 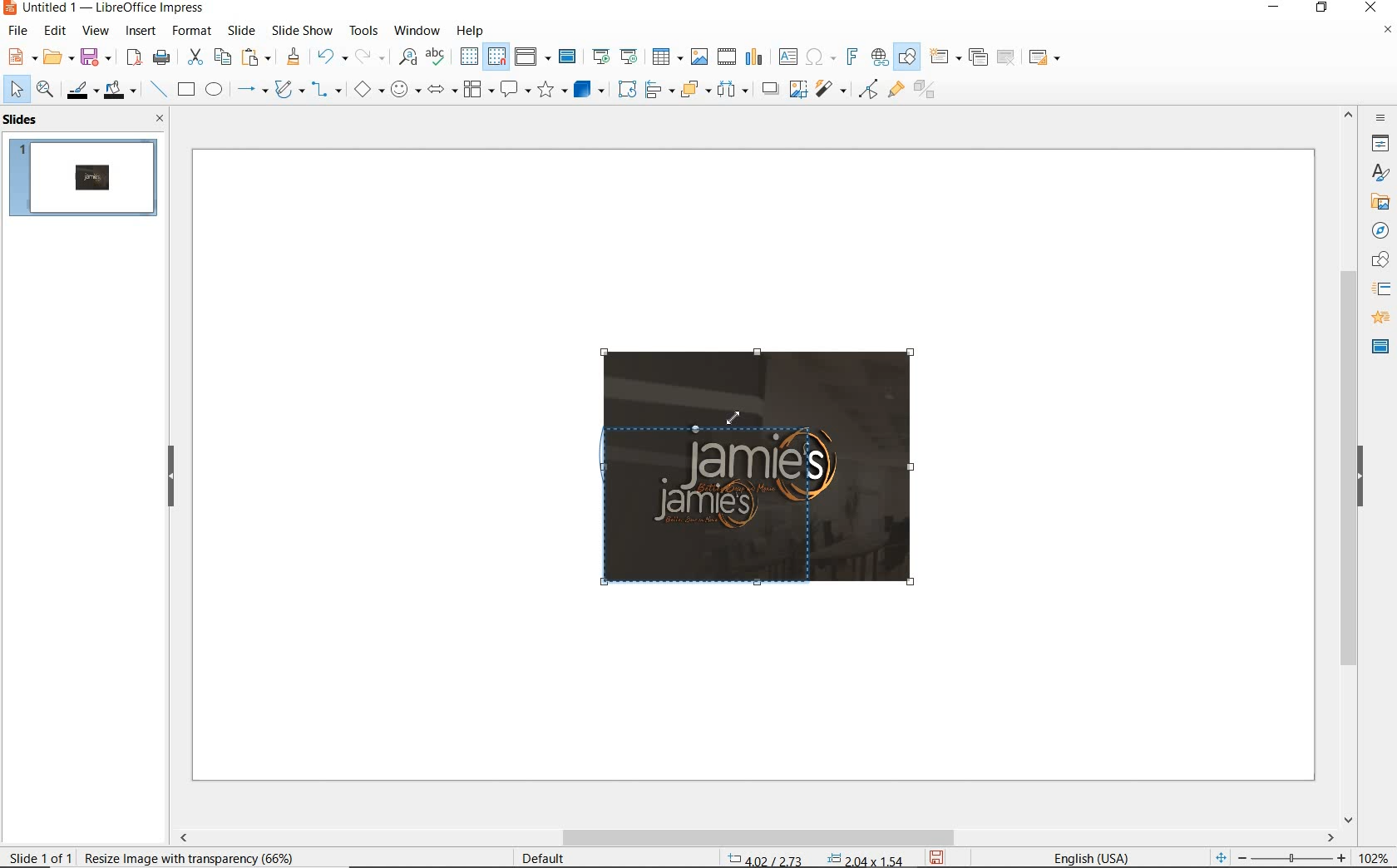 I want to click on new, so click(x=20, y=56).